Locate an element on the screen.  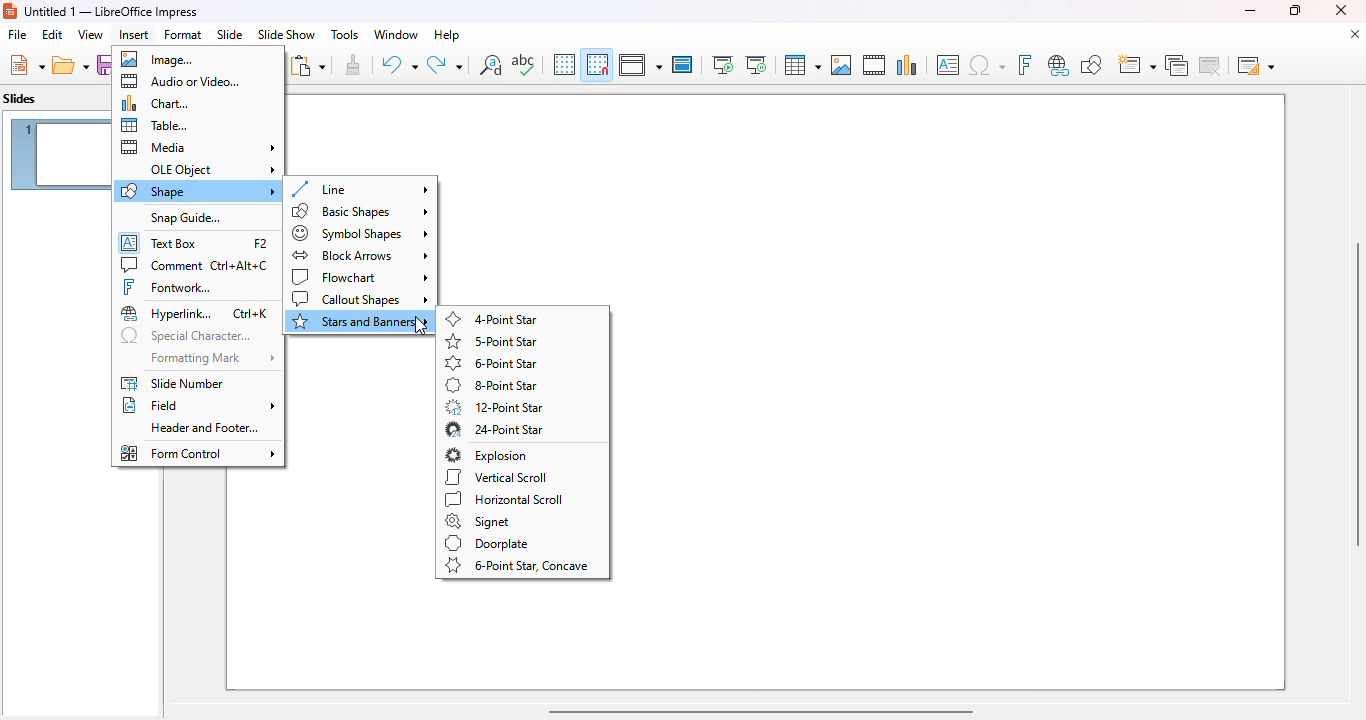
header and footer is located at coordinates (204, 428).